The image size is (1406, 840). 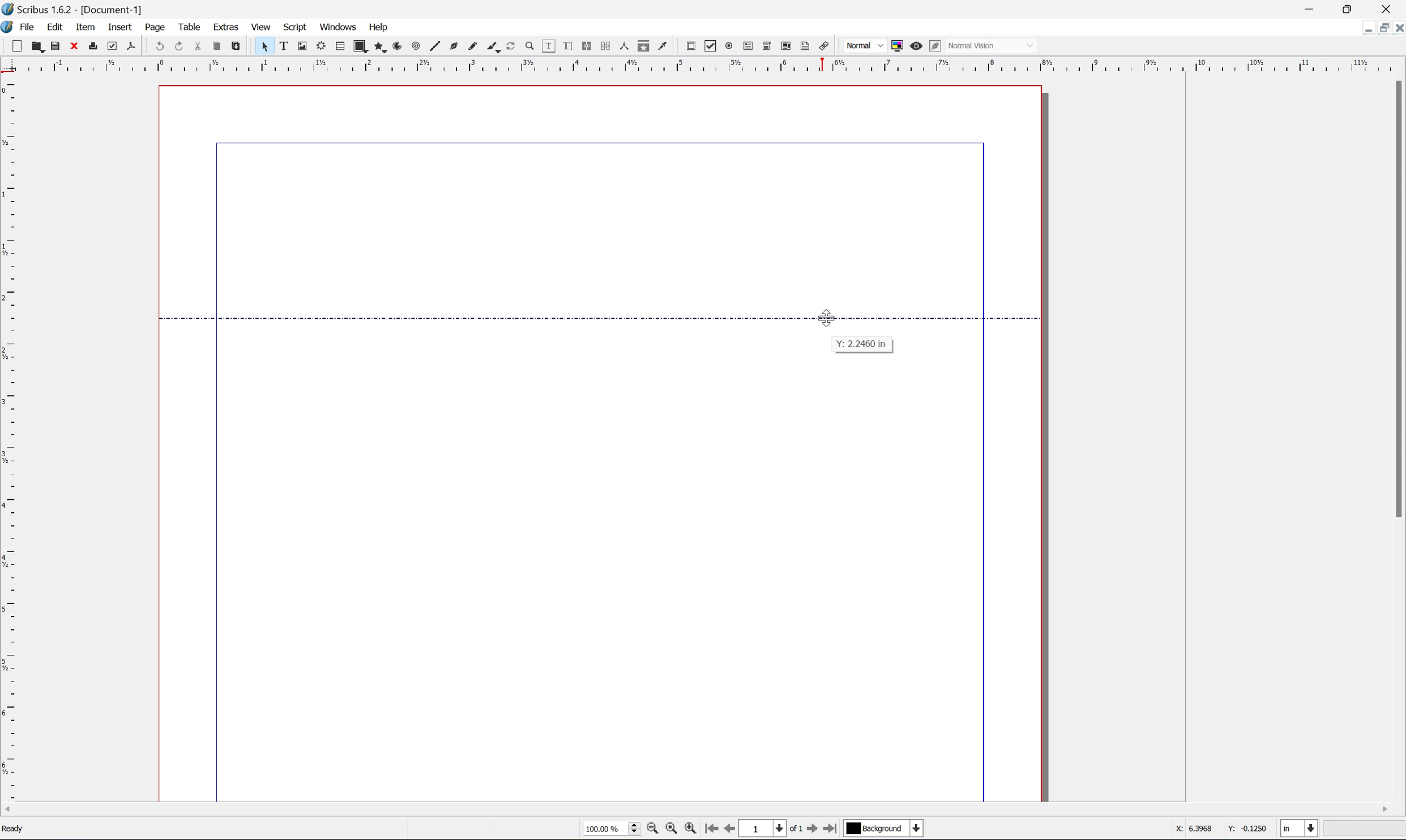 I want to click on go to first page, so click(x=811, y=830).